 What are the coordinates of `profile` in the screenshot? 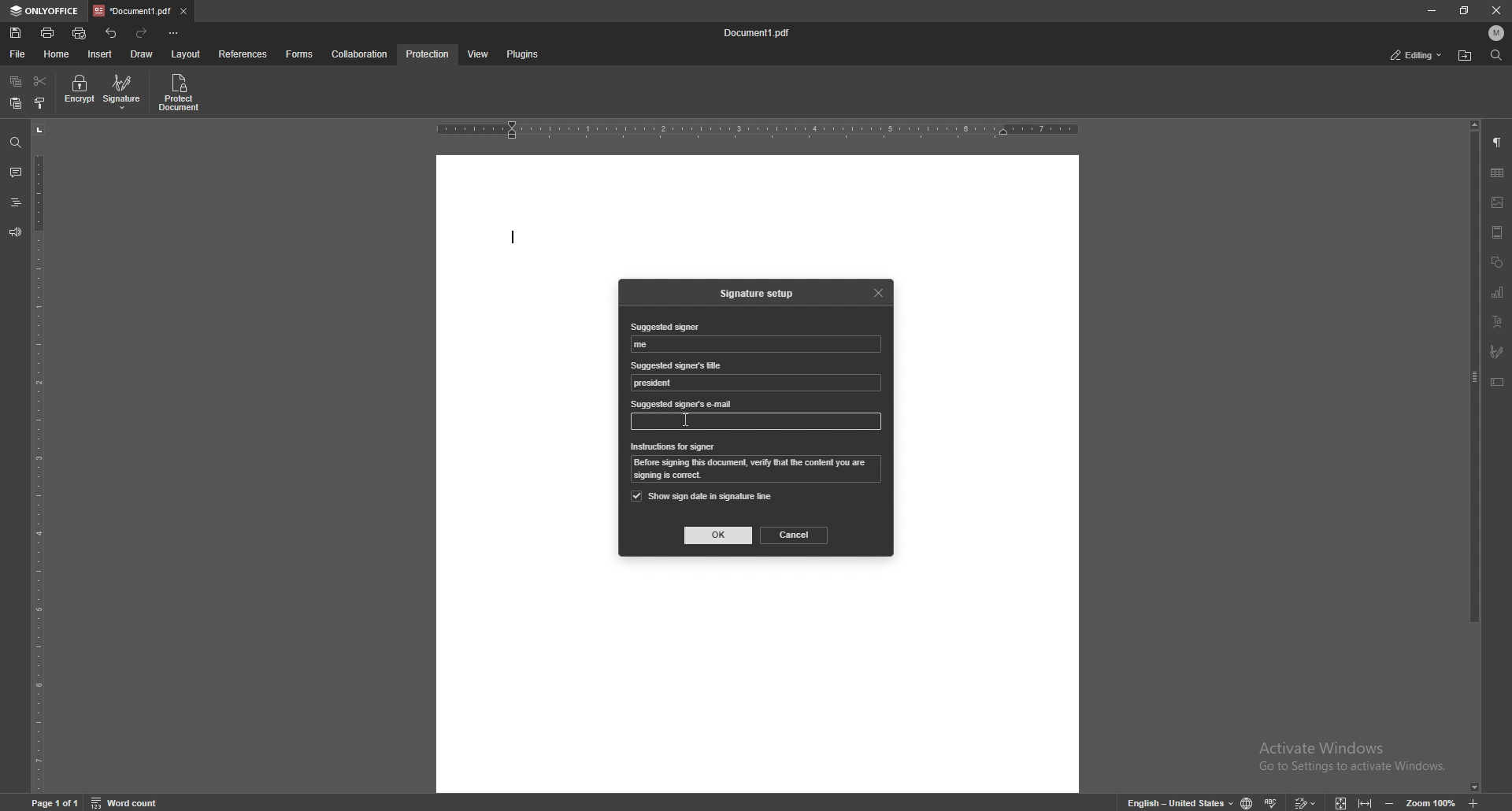 It's located at (1497, 33).